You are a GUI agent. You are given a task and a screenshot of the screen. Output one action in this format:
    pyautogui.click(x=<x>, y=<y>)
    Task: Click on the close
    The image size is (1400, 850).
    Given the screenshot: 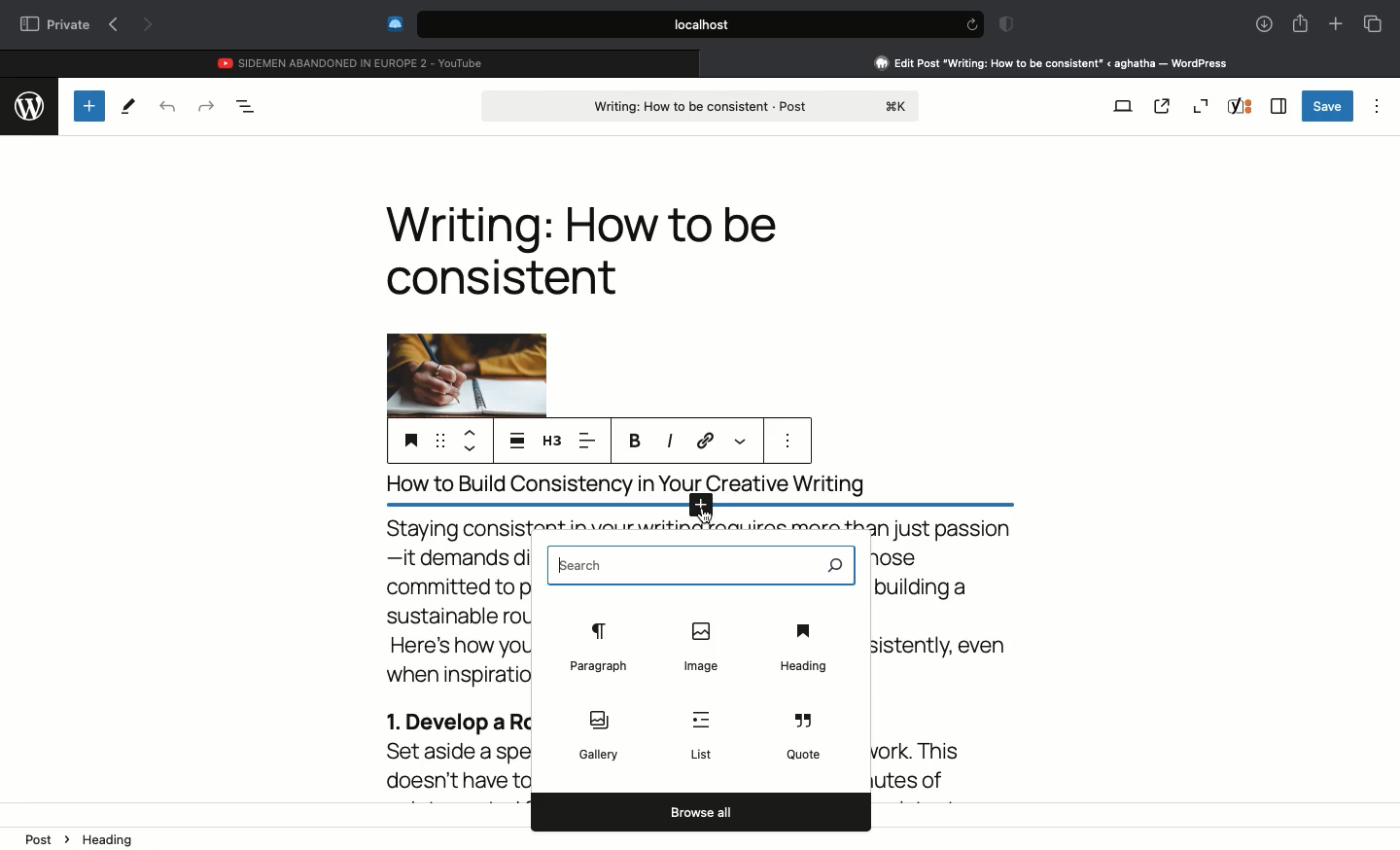 What is the action you would take?
    pyautogui.click(x=709, y=62)
    